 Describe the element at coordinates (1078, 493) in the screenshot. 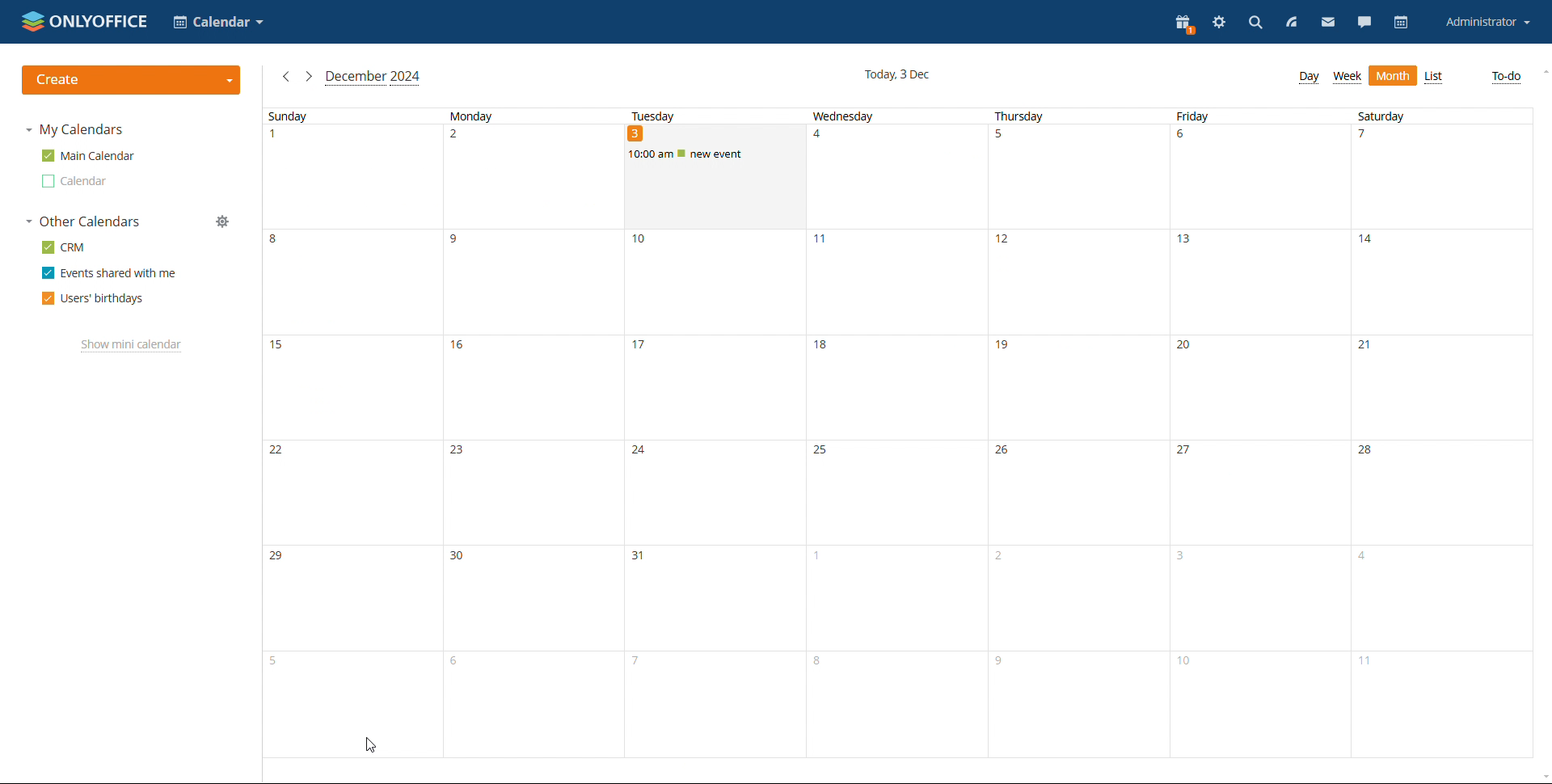

I see `26` at that location.